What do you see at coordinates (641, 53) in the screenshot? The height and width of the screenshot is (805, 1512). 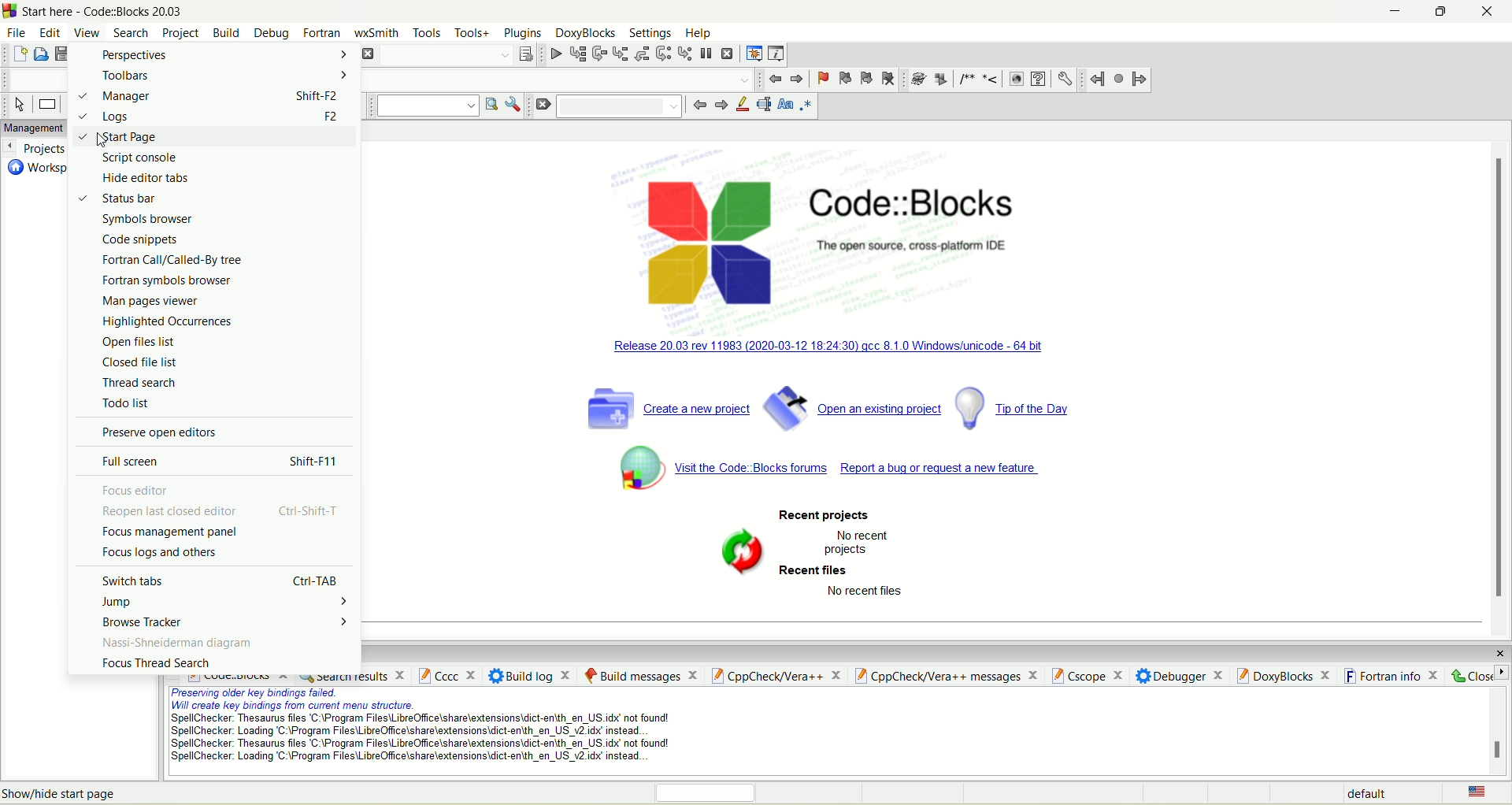 I see `step out` at bounding box center [641, 53].